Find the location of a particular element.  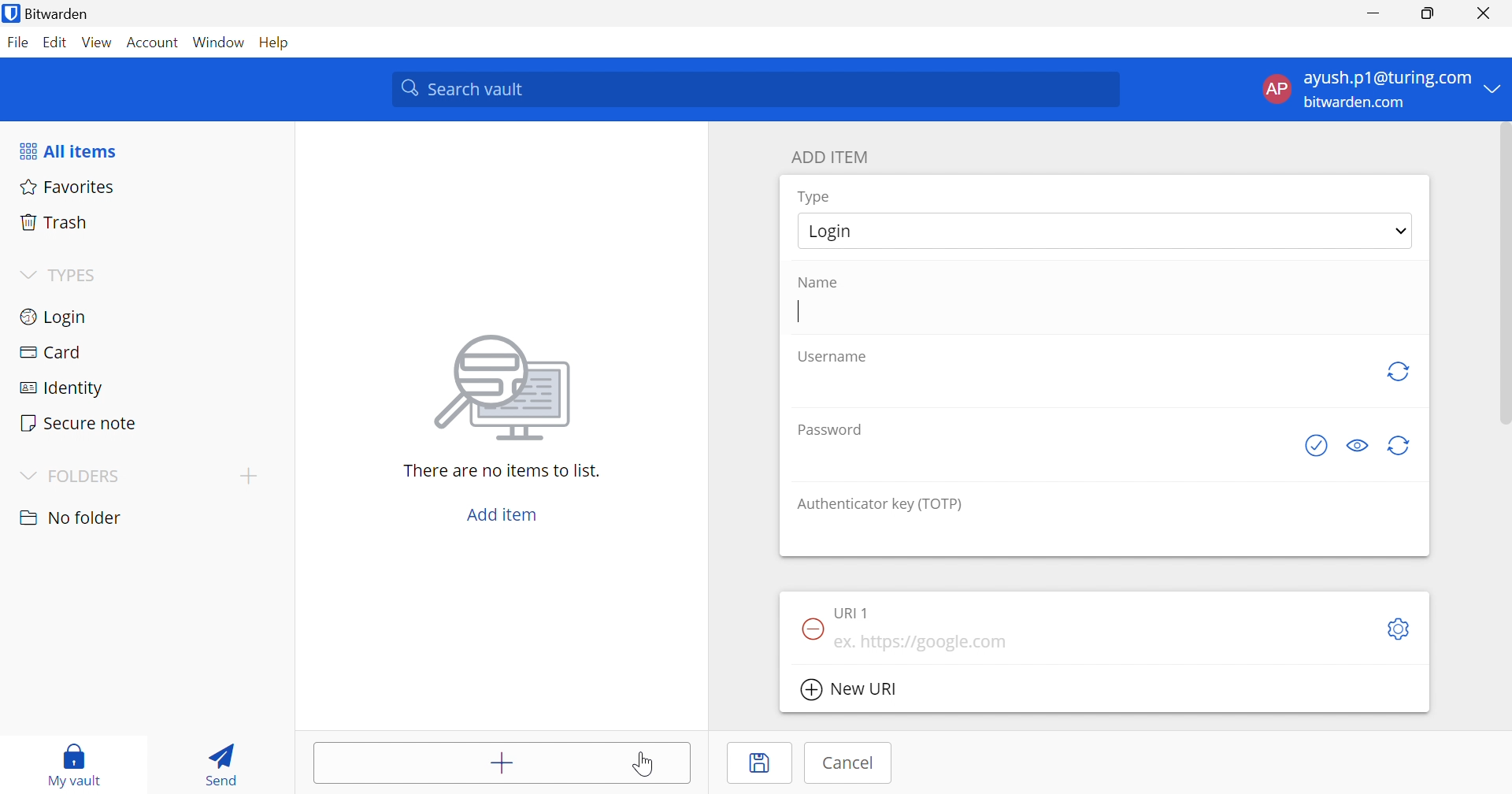

Login is located at coordinates (56, 317).